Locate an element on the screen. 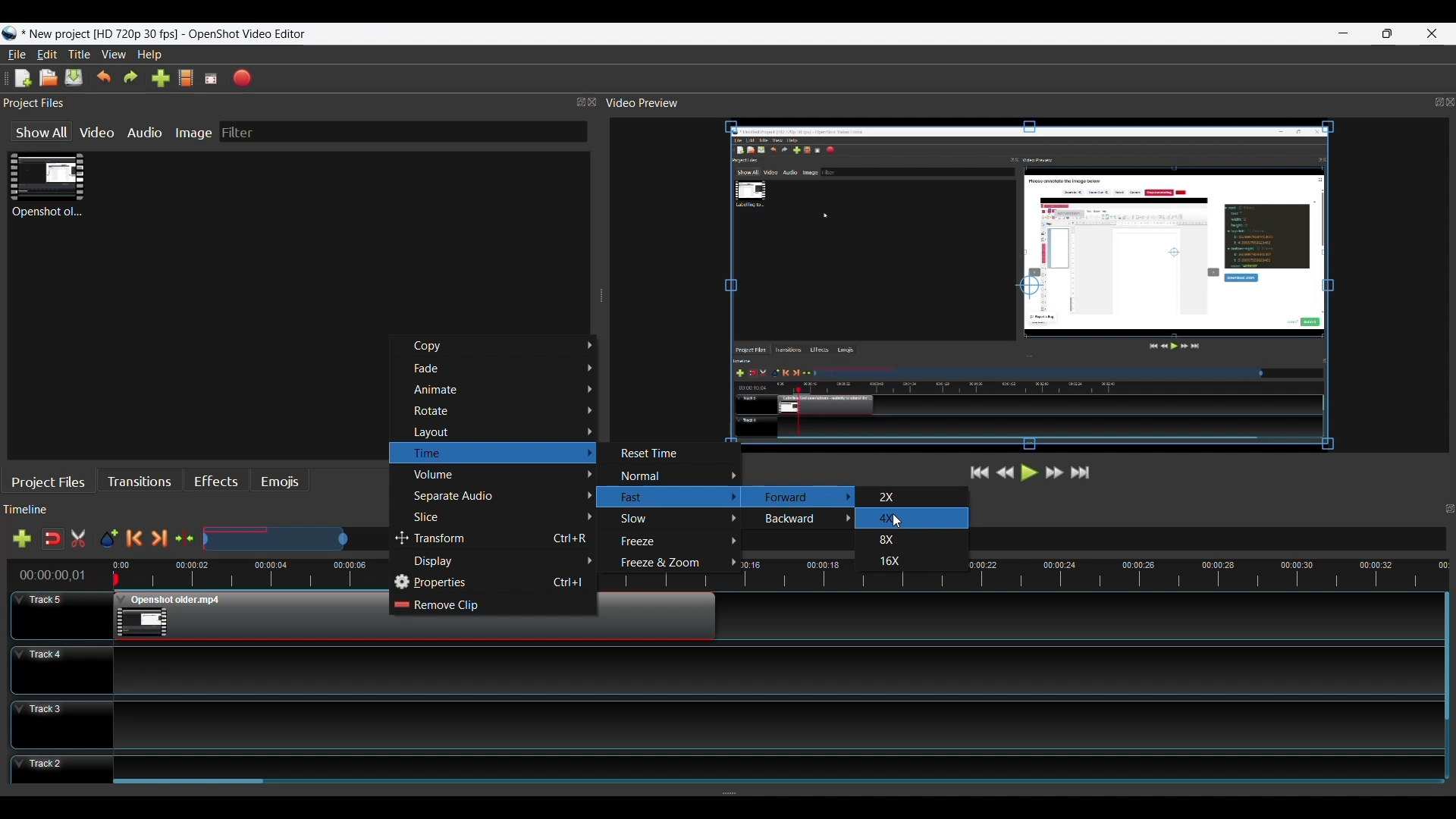 The width and height of the screenshot is (1456, 819). Openshot Desktop icon is located at coordinates (10, 35).